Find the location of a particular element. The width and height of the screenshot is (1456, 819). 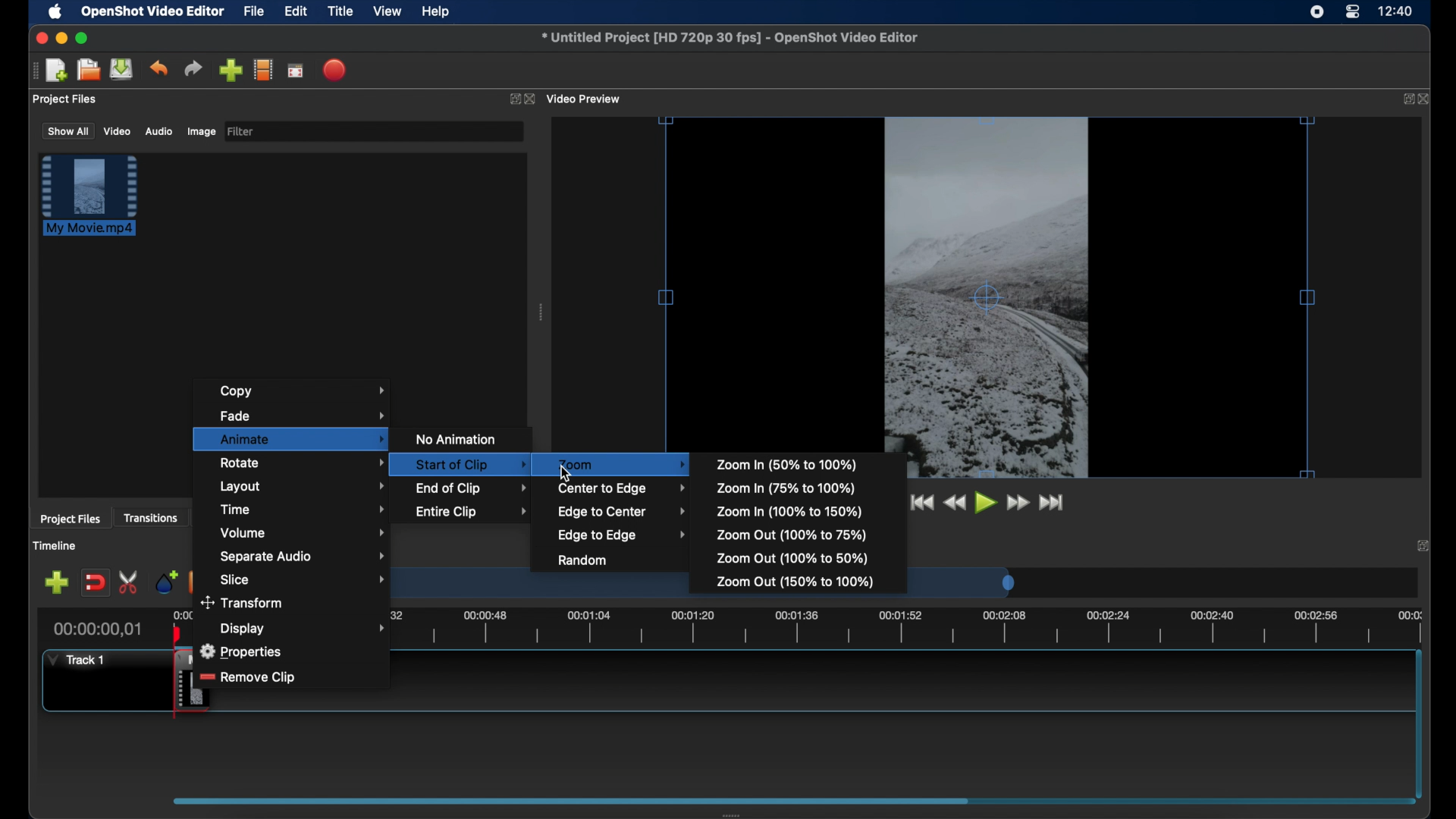

transitions is located at coordinates (152, 519).